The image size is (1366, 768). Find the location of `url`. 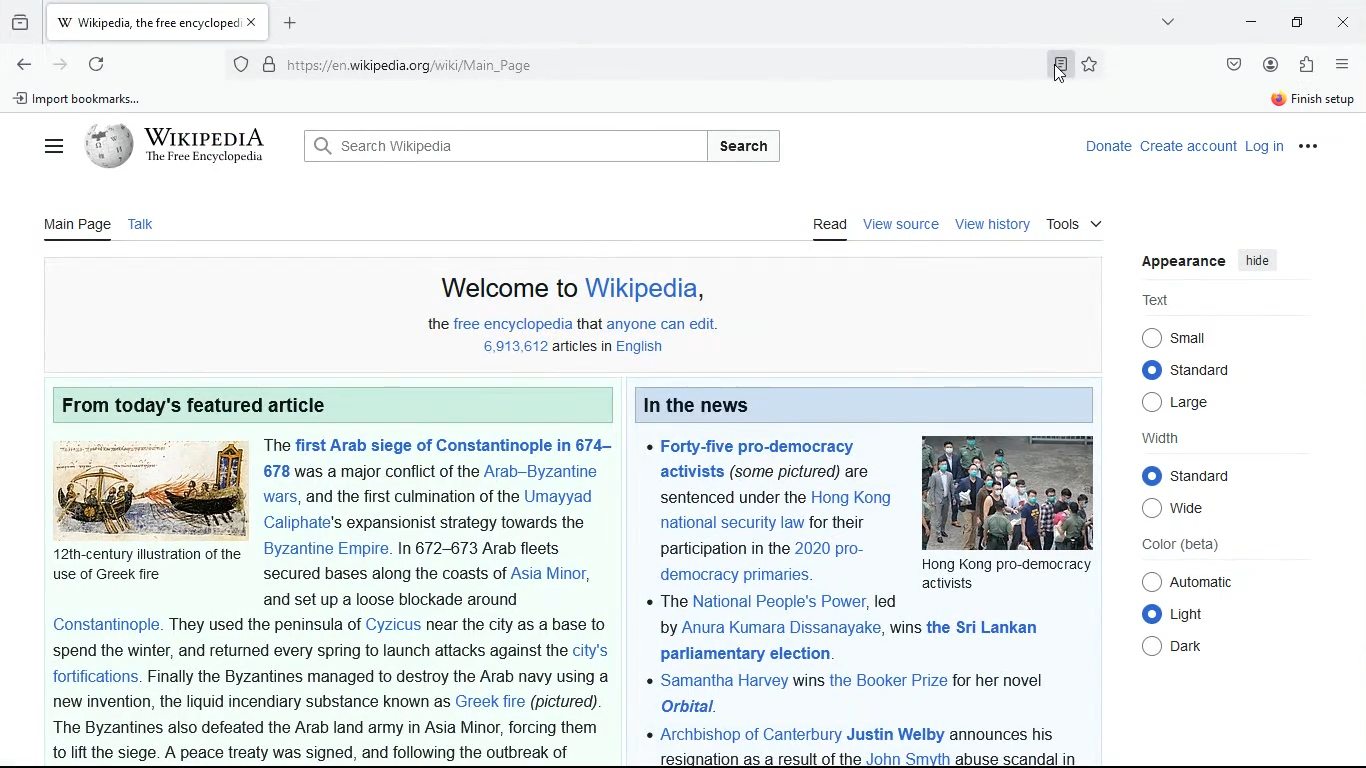

url is located at coordinates (444, 65).